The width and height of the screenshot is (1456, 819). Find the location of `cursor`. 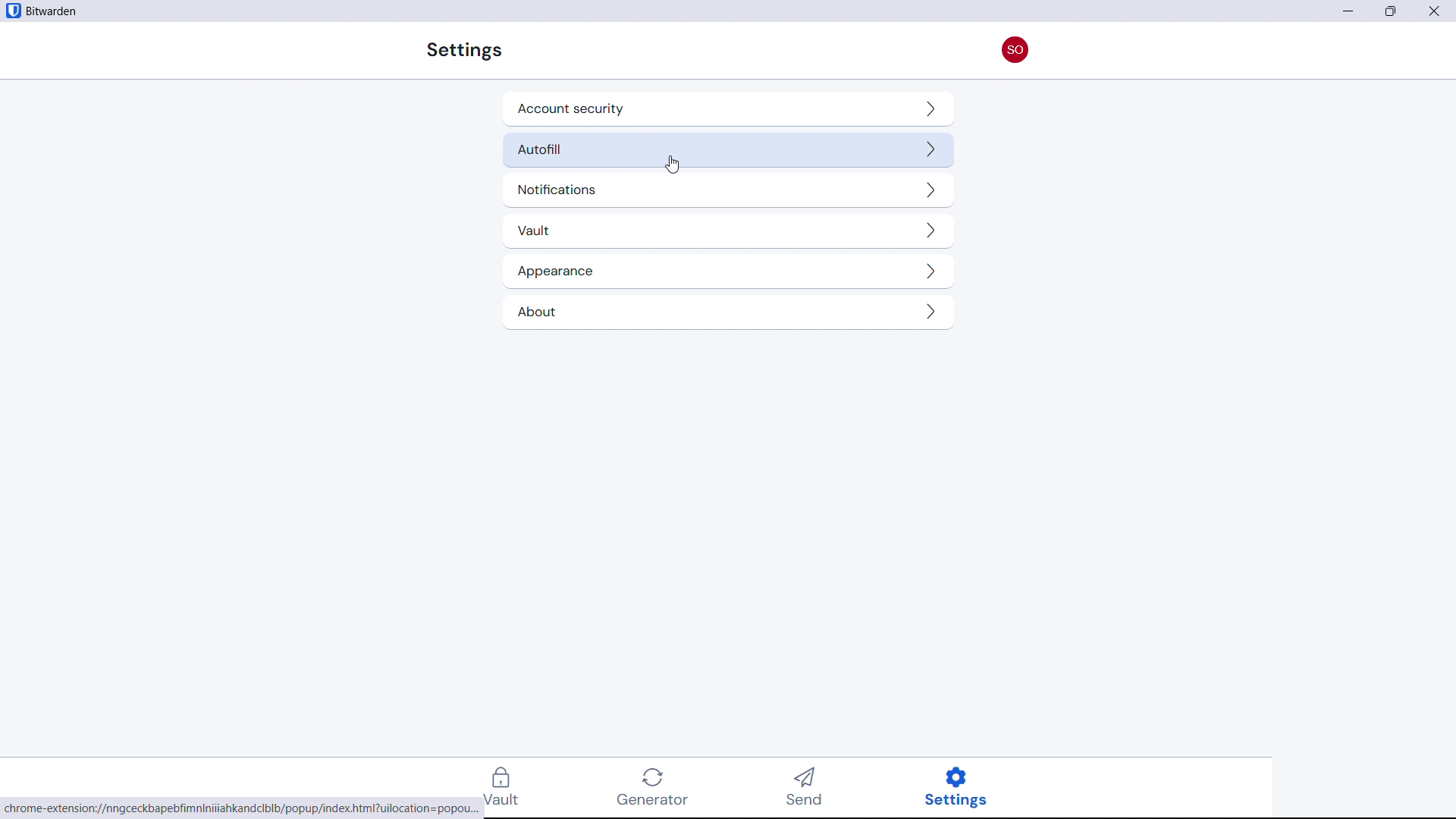

cursor is located at coordinates (672, 166).